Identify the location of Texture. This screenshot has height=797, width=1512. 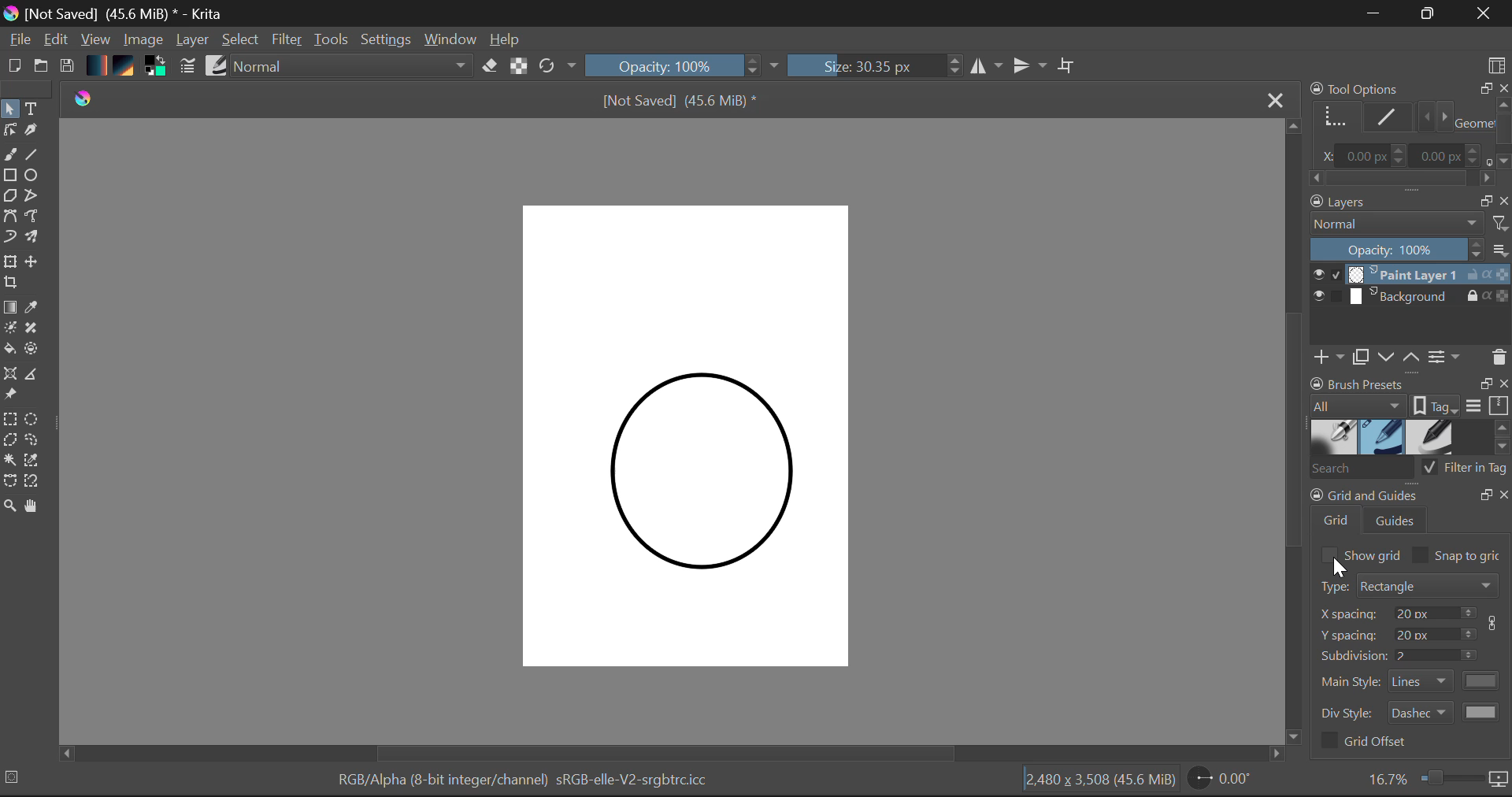
(128, 68).